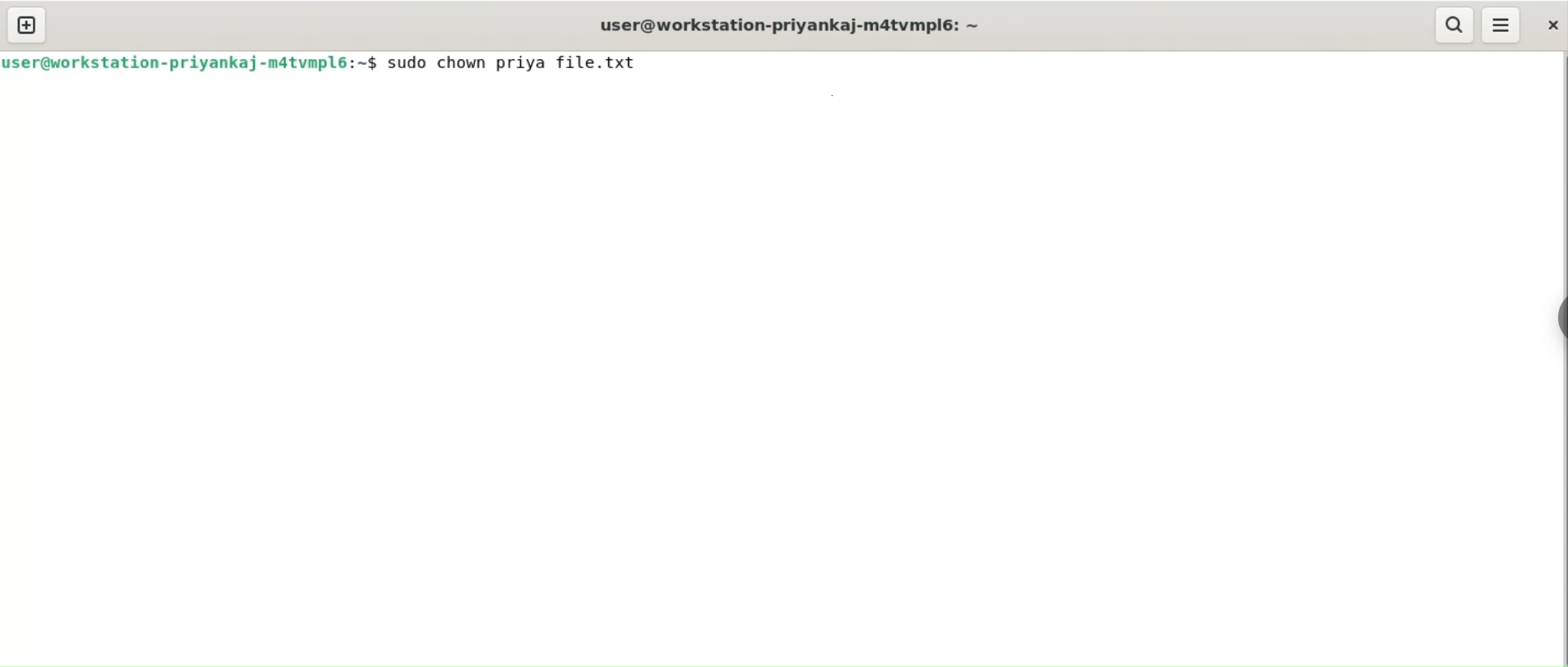 The image size is (1568, 667). What do you see at coordinates (1455, 25) in the screenshot?
I see `search` at bounding box center [1455, 25].